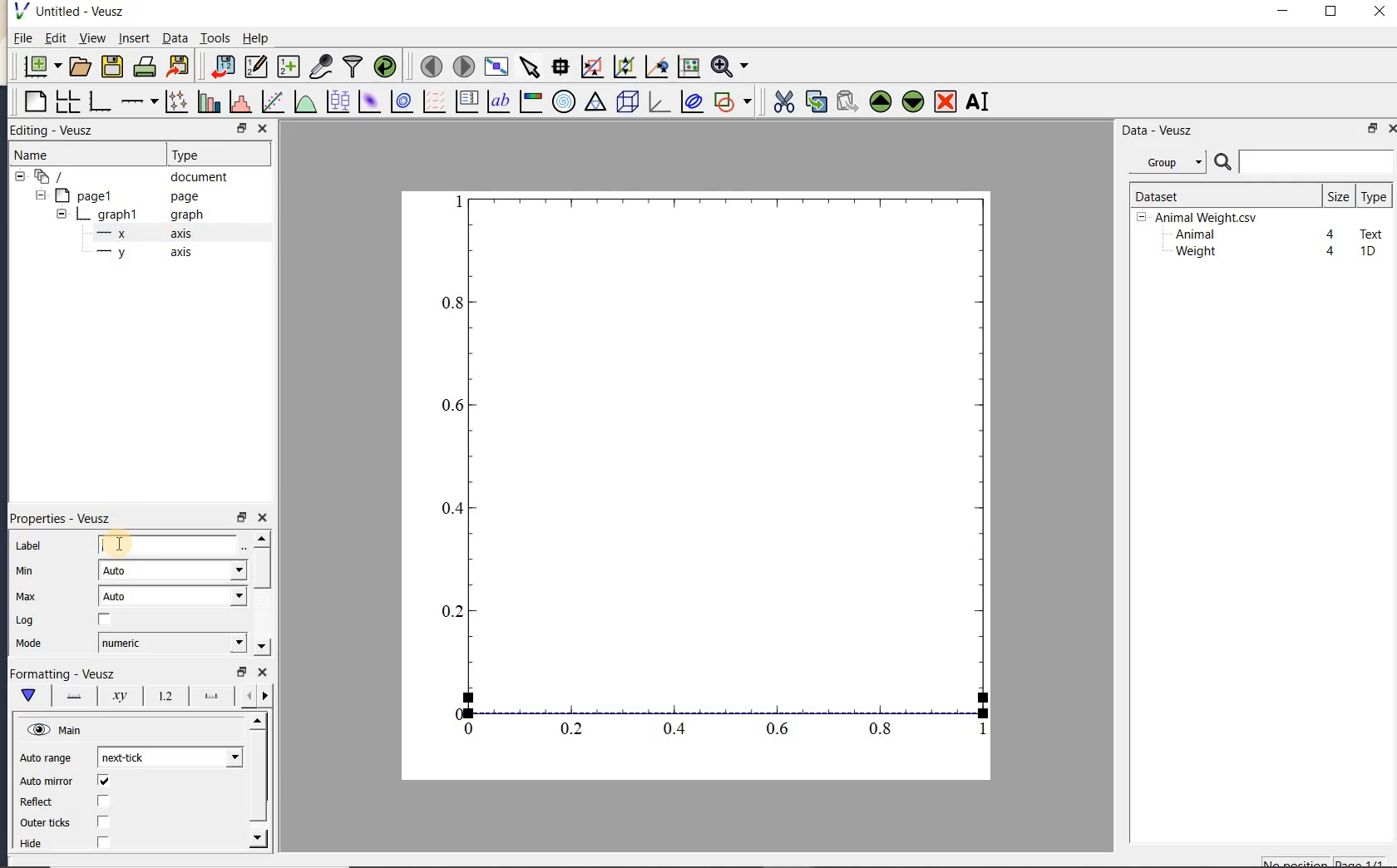  Describe the element at coordinates (239, 101) in the screenshot. I see `histogram of a dataset` at that location.